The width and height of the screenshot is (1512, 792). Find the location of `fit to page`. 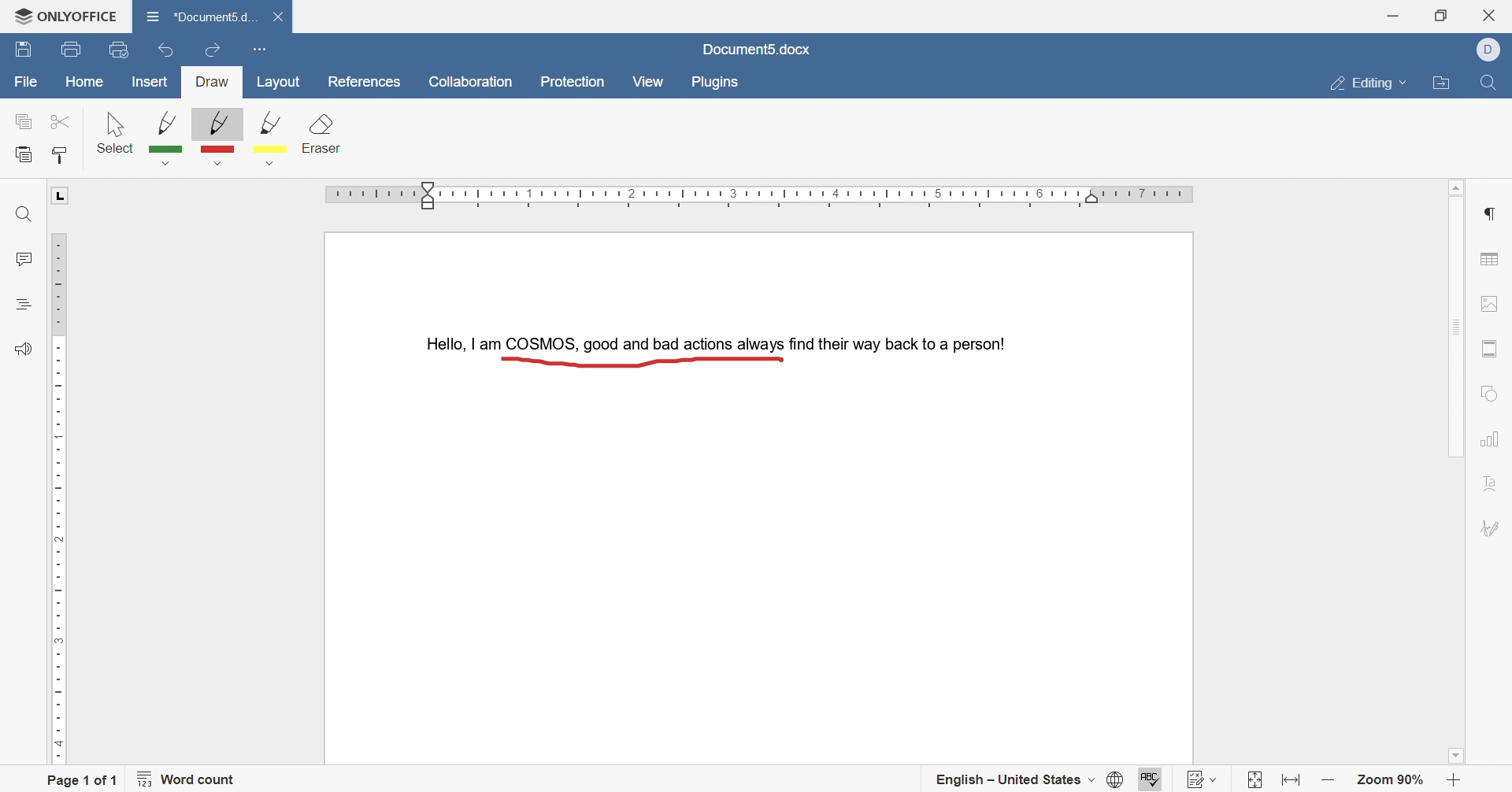

fit to page is located at coordinates (1251, 781).